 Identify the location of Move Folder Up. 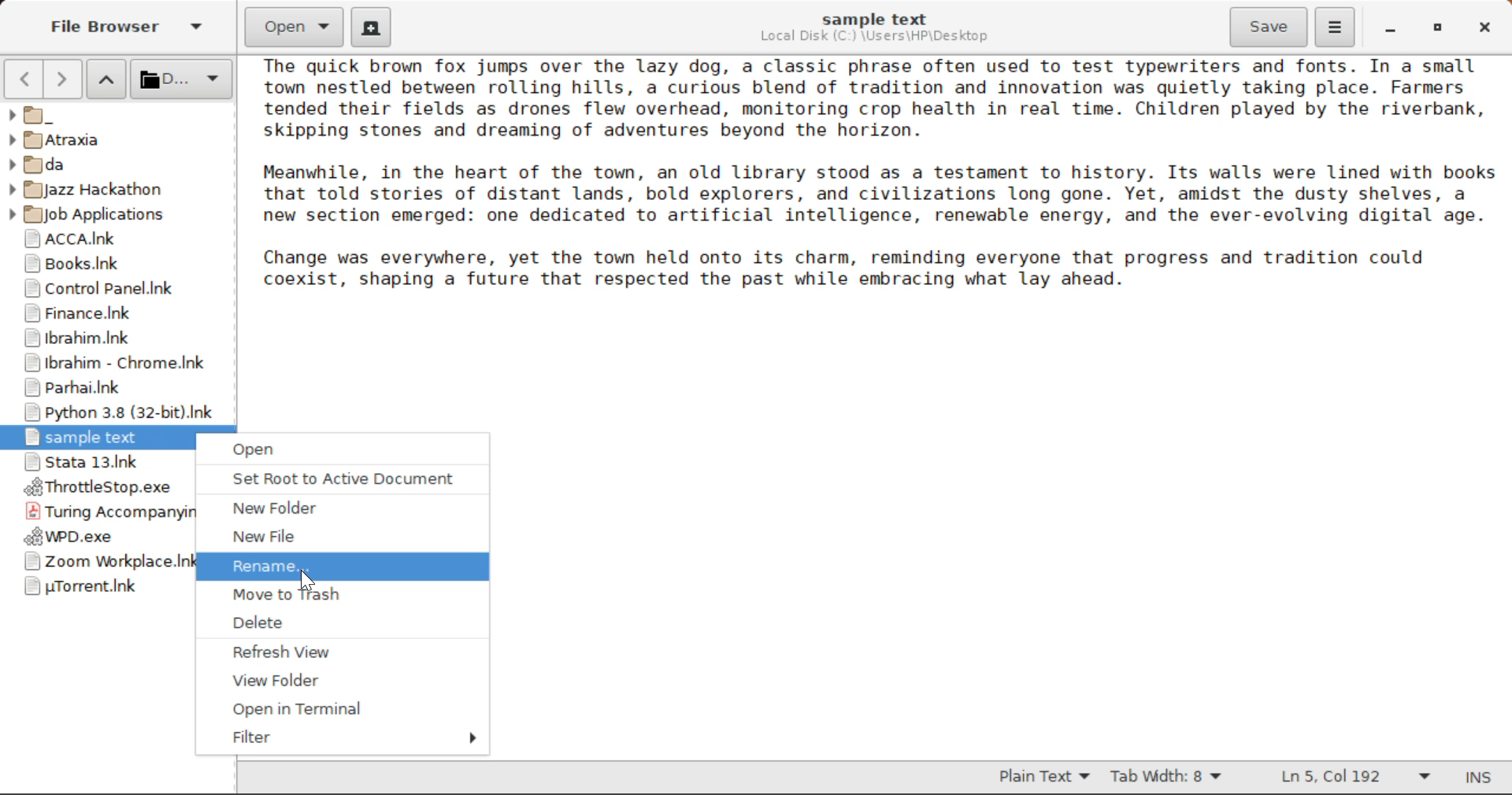
(107, 79).